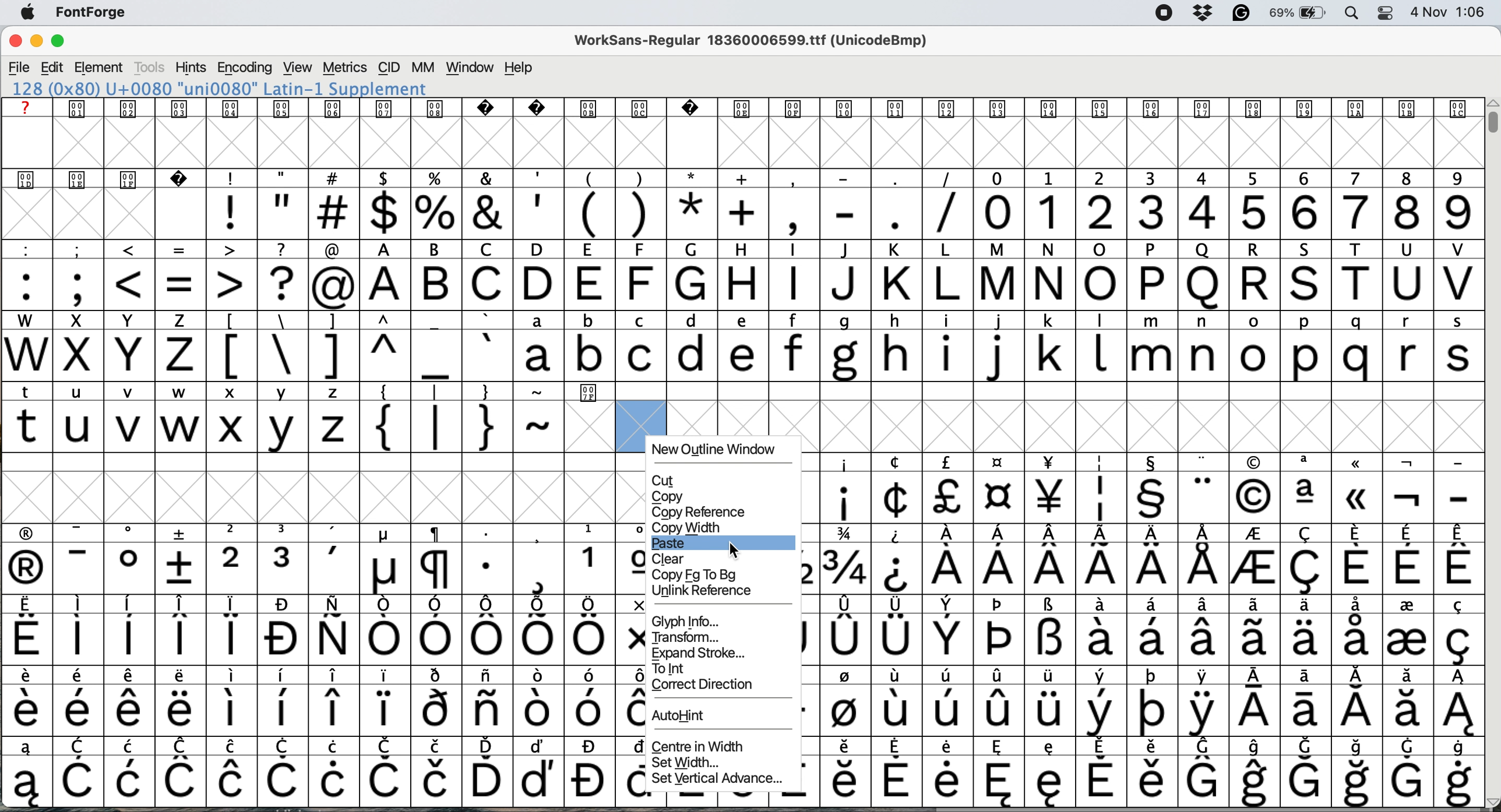 The image size is (1501, 812). Describe the element at coordinates (520, 68) in the screenshot. I see `help` at that location.